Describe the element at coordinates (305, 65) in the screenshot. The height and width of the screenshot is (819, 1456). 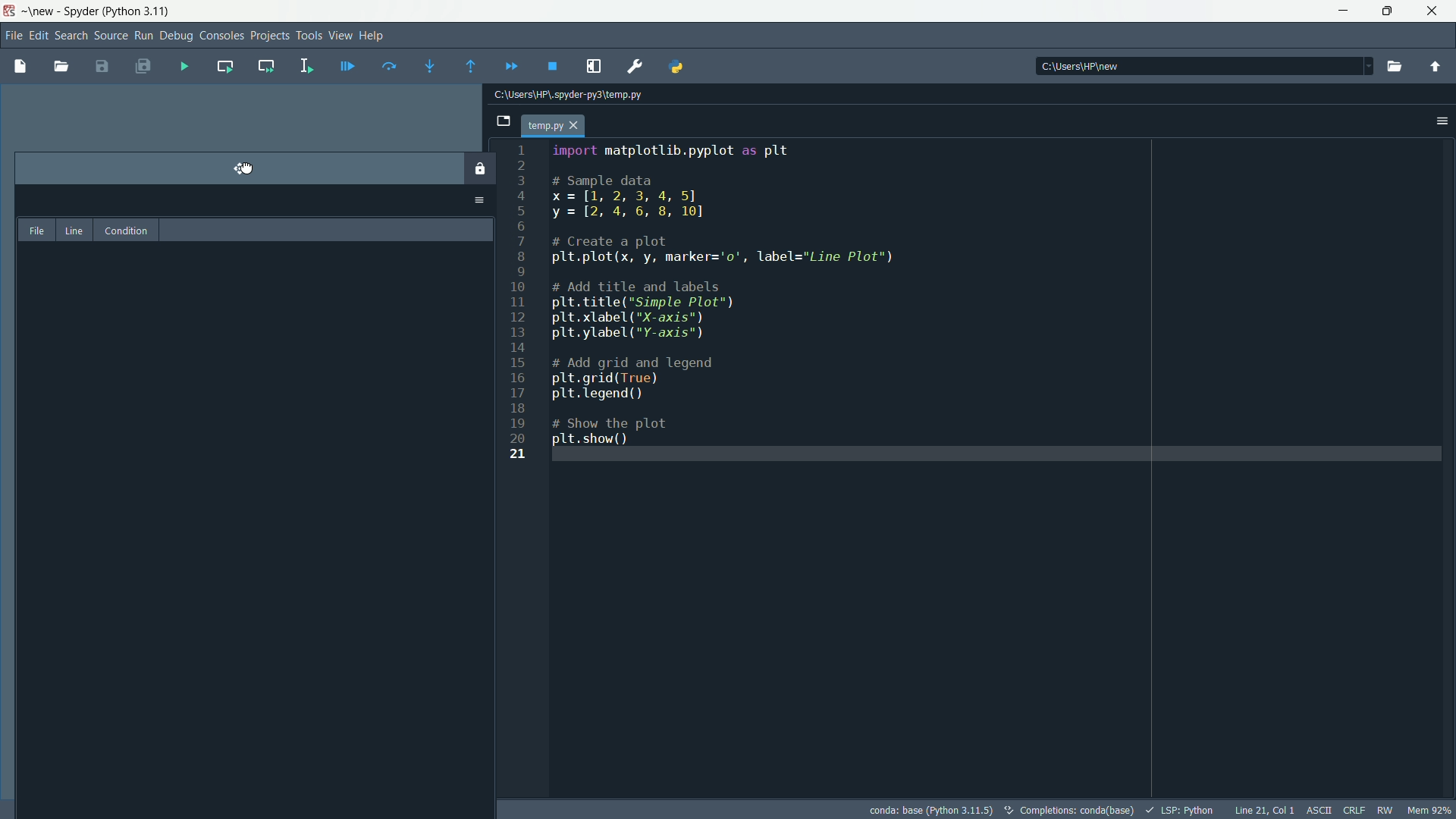
I see `run selection` at that location.